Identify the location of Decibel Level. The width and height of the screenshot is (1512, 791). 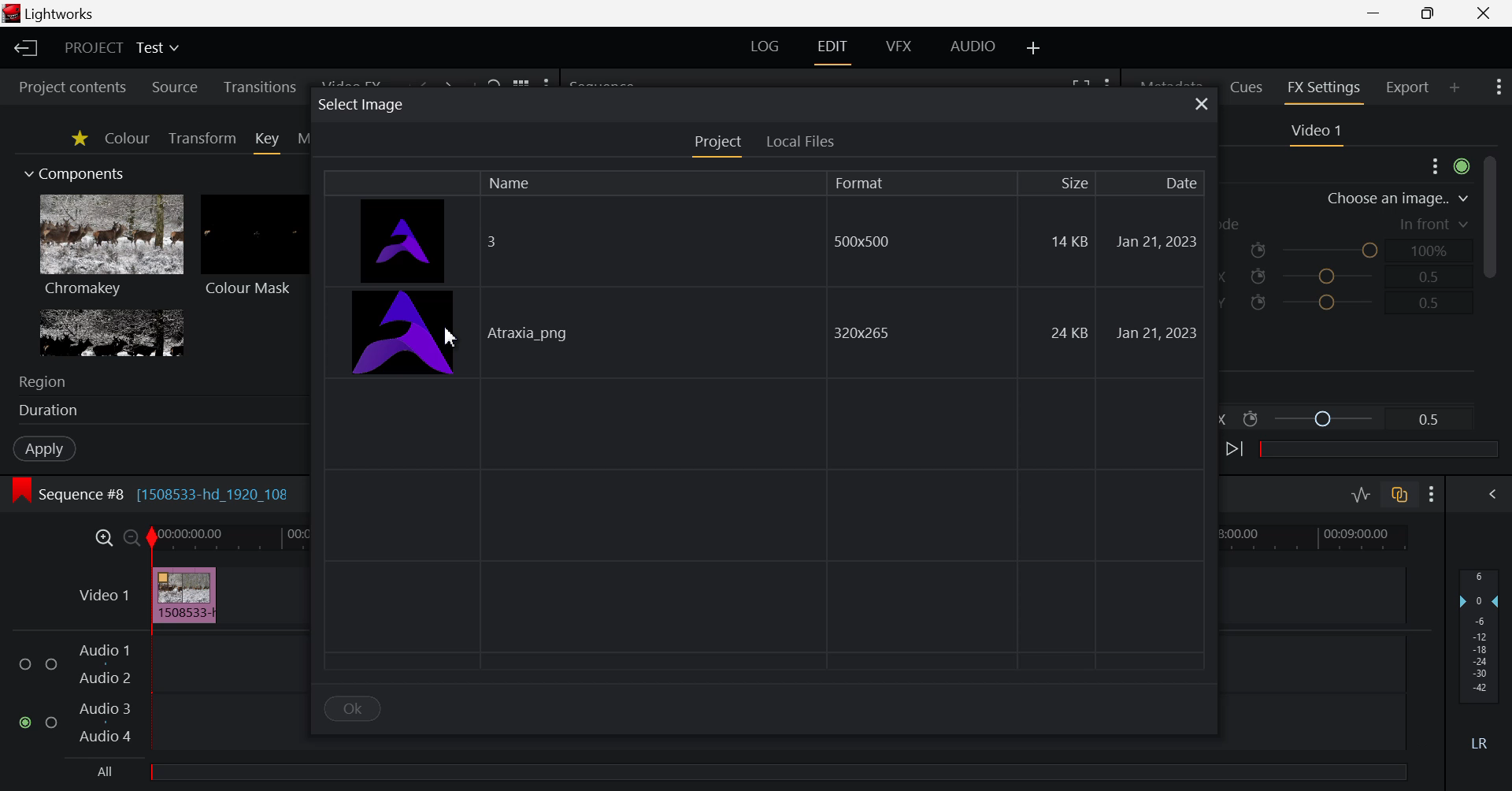
(1480, 658).